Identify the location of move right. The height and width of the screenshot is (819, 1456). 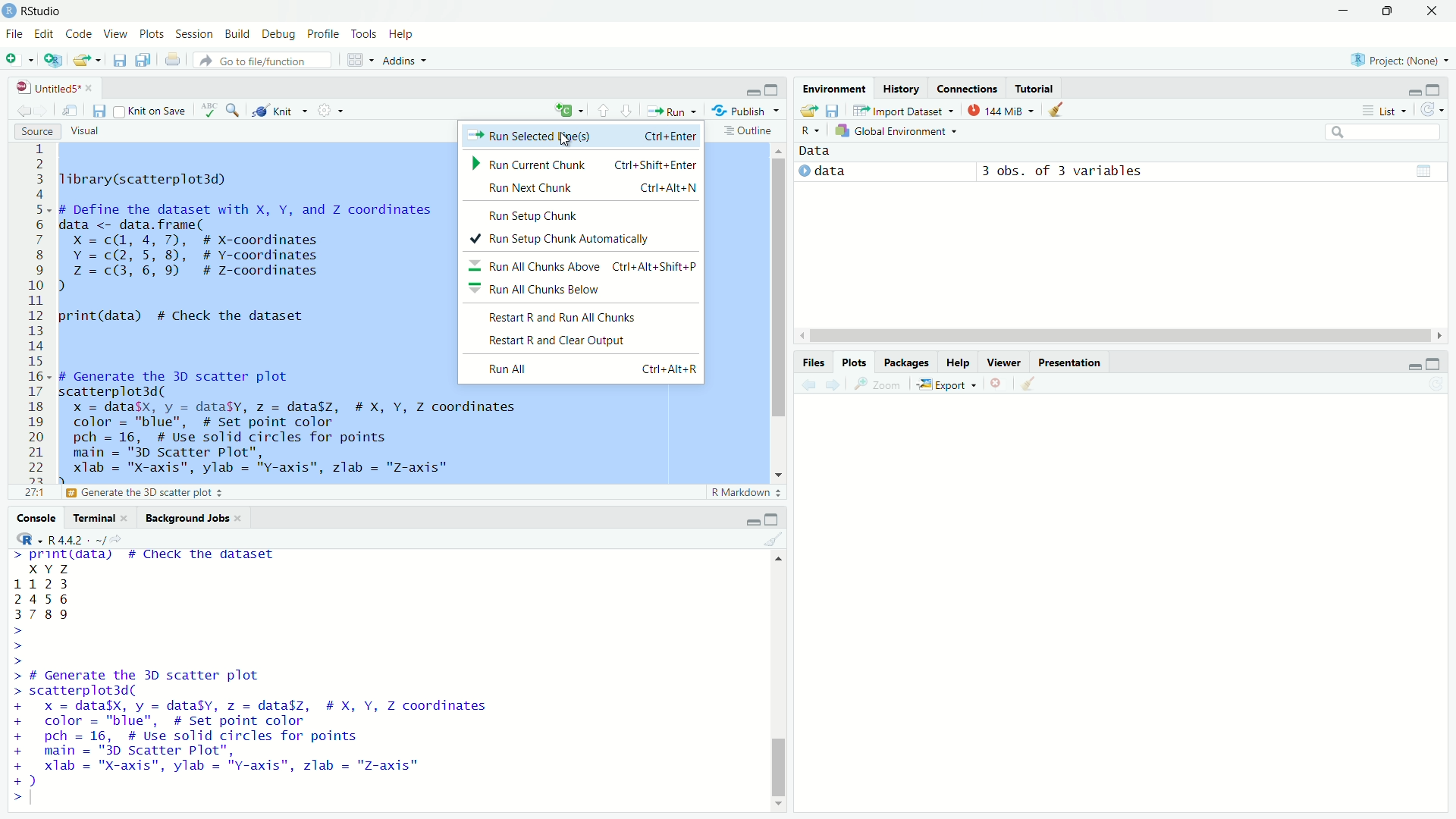
(1442, 334).